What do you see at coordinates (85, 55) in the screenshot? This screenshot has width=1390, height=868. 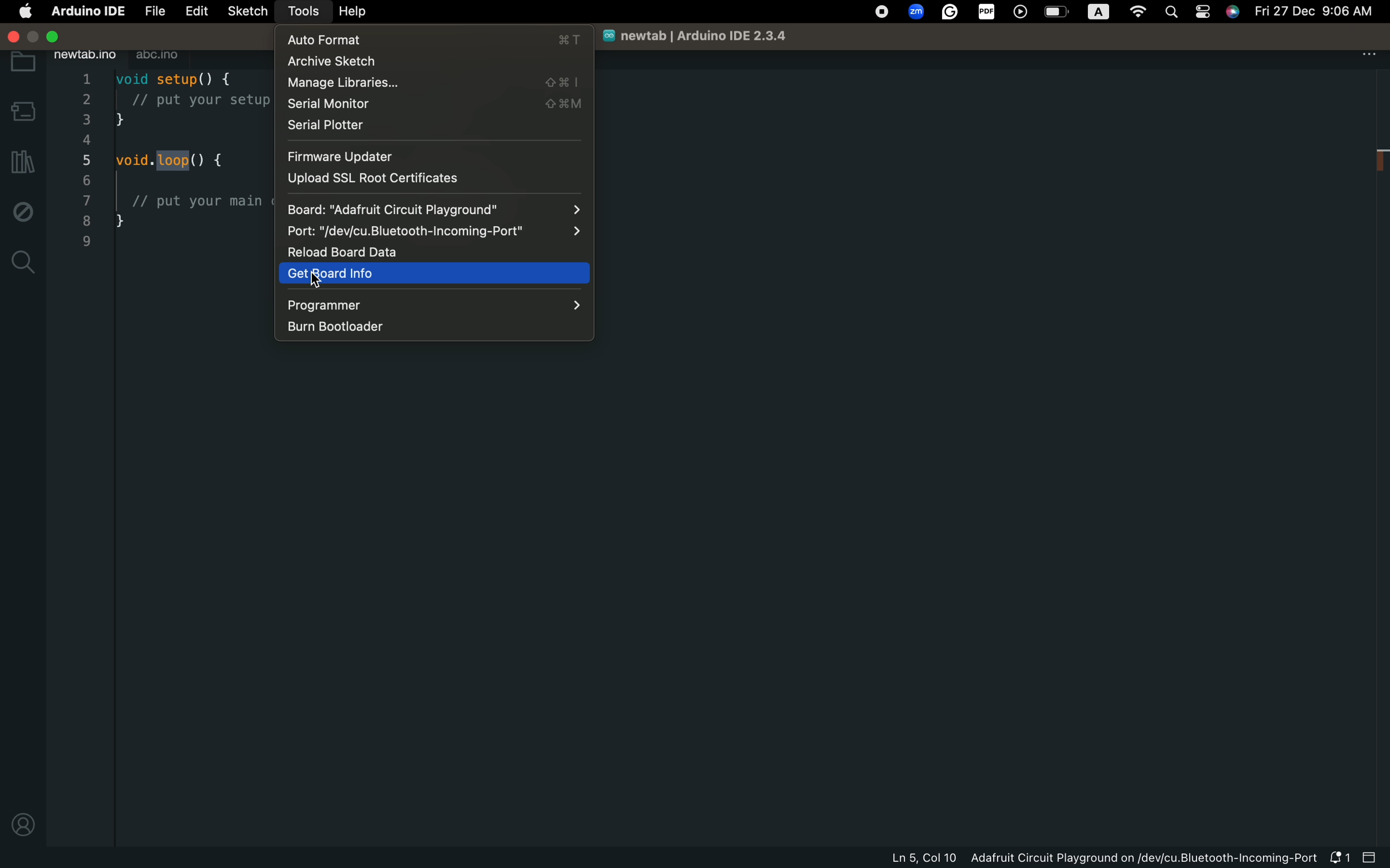 I see `newtab.ino` at bounding box center [85, 55].